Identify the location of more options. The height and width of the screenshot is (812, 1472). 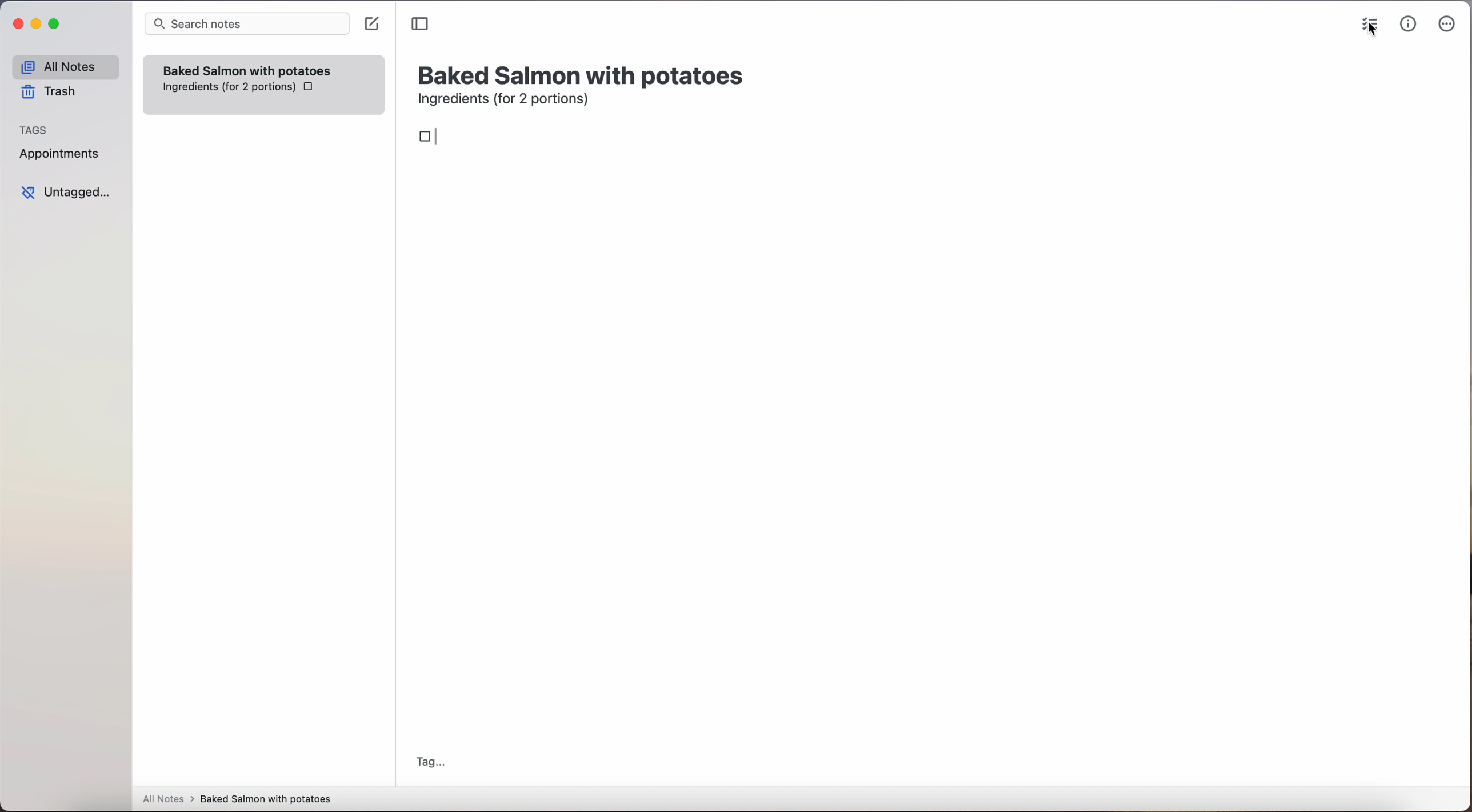
(1449, 25).